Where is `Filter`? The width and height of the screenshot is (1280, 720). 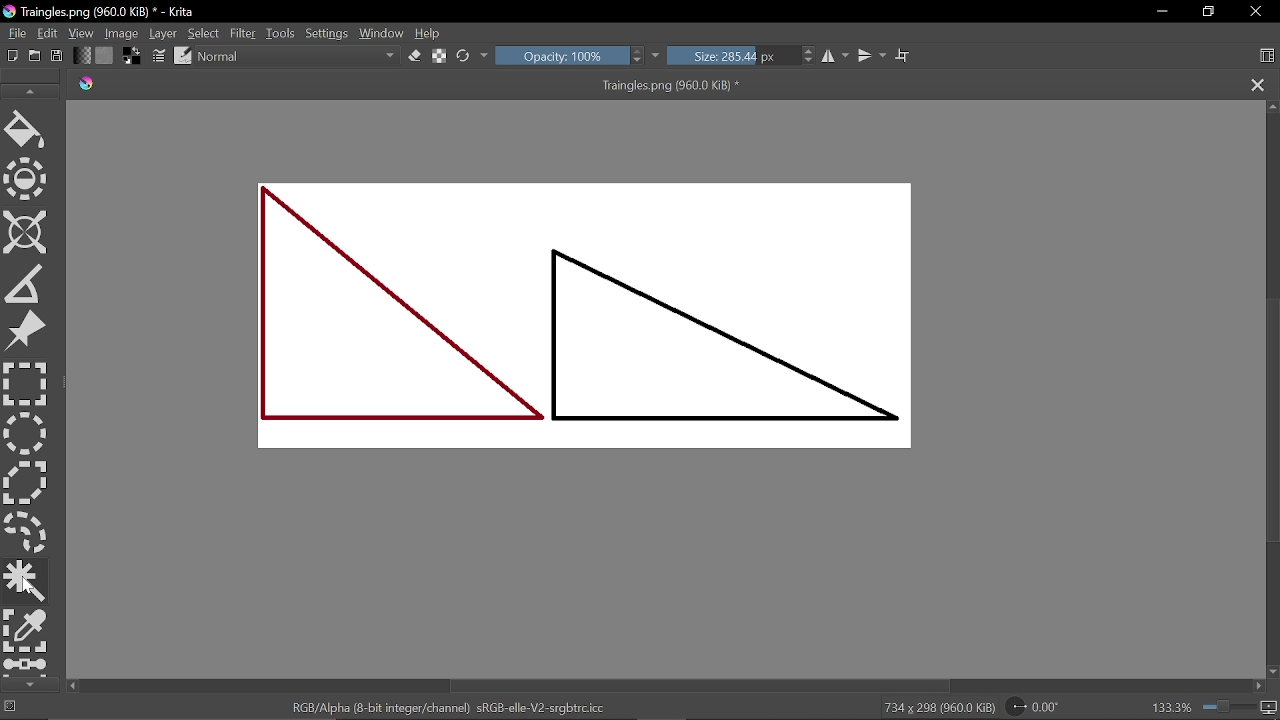
Filter is located at coordinates (242, 32).